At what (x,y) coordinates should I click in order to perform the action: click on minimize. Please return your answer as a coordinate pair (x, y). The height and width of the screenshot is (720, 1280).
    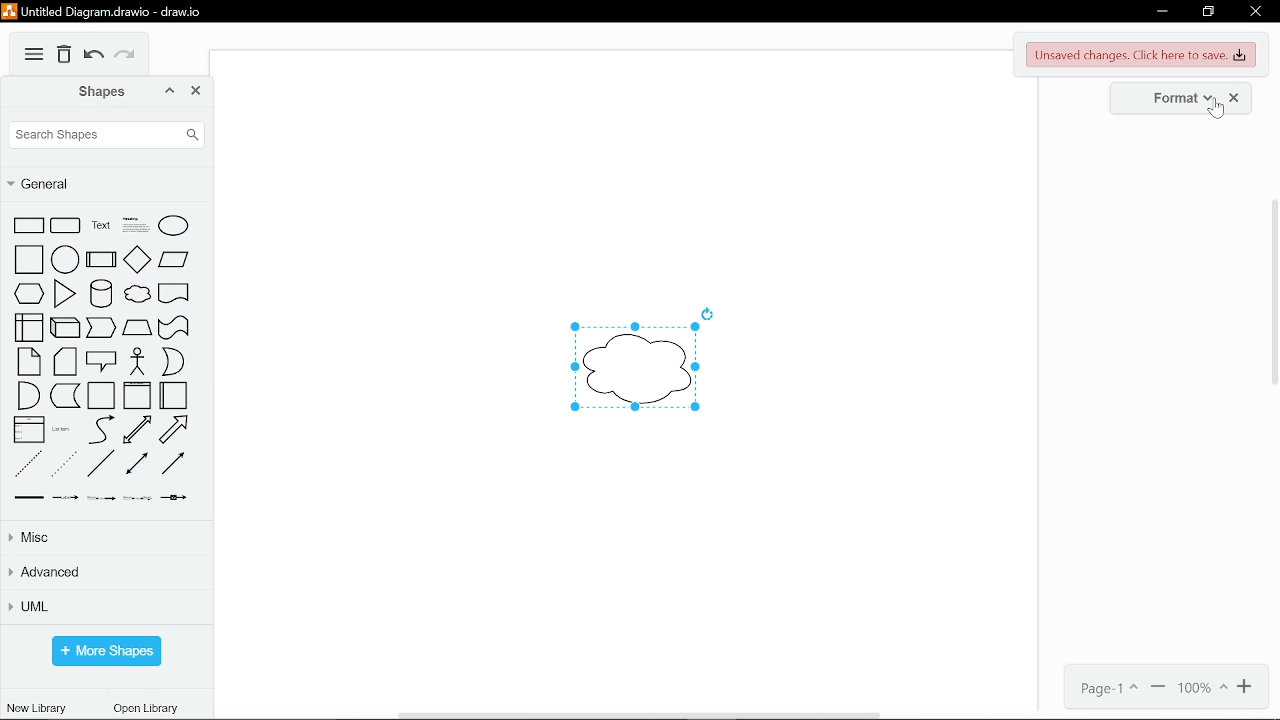
    Looking at the image, I should click on (1161, 9).